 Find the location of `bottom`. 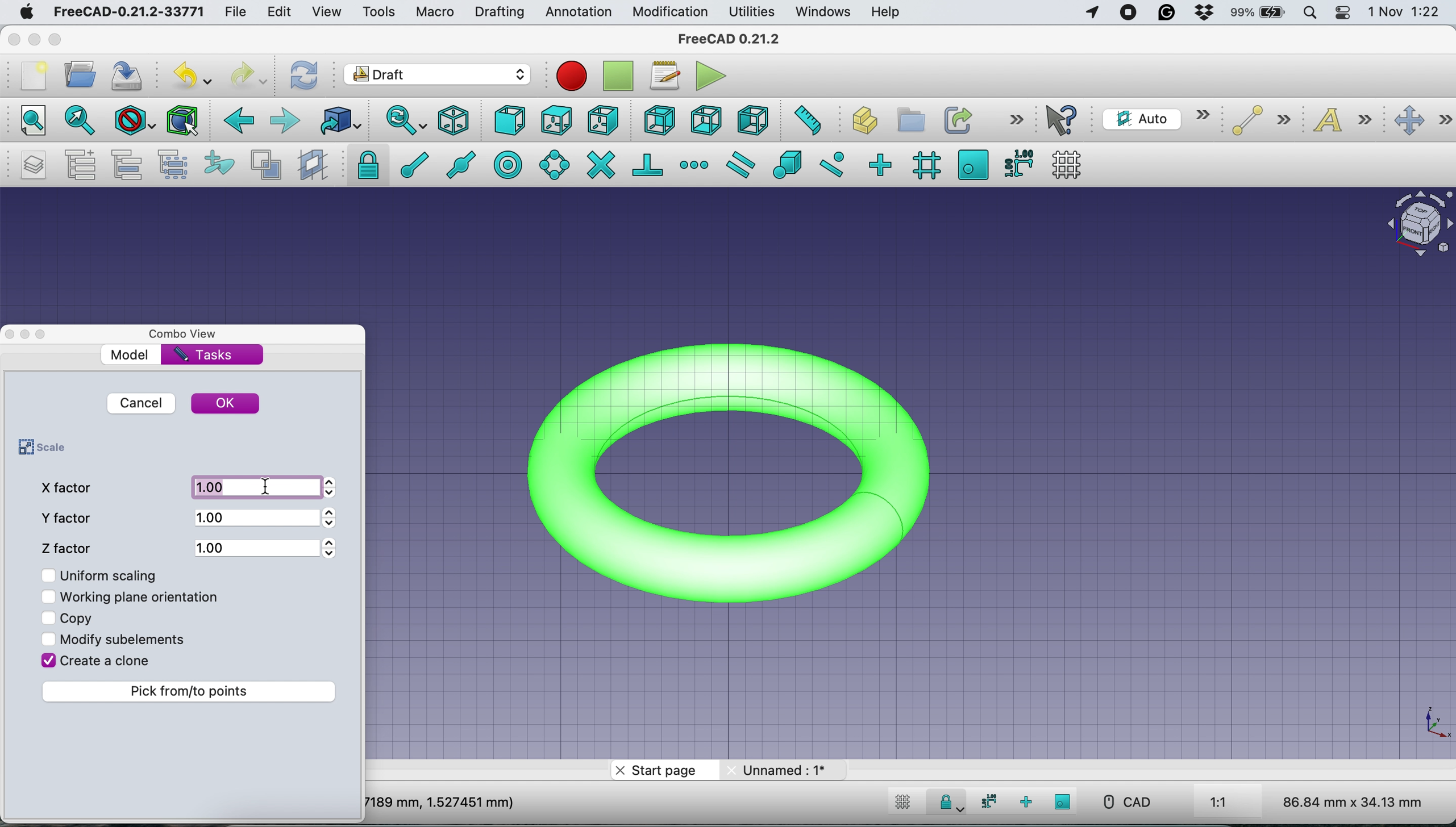

bottom is located at coordinates (708, 119).